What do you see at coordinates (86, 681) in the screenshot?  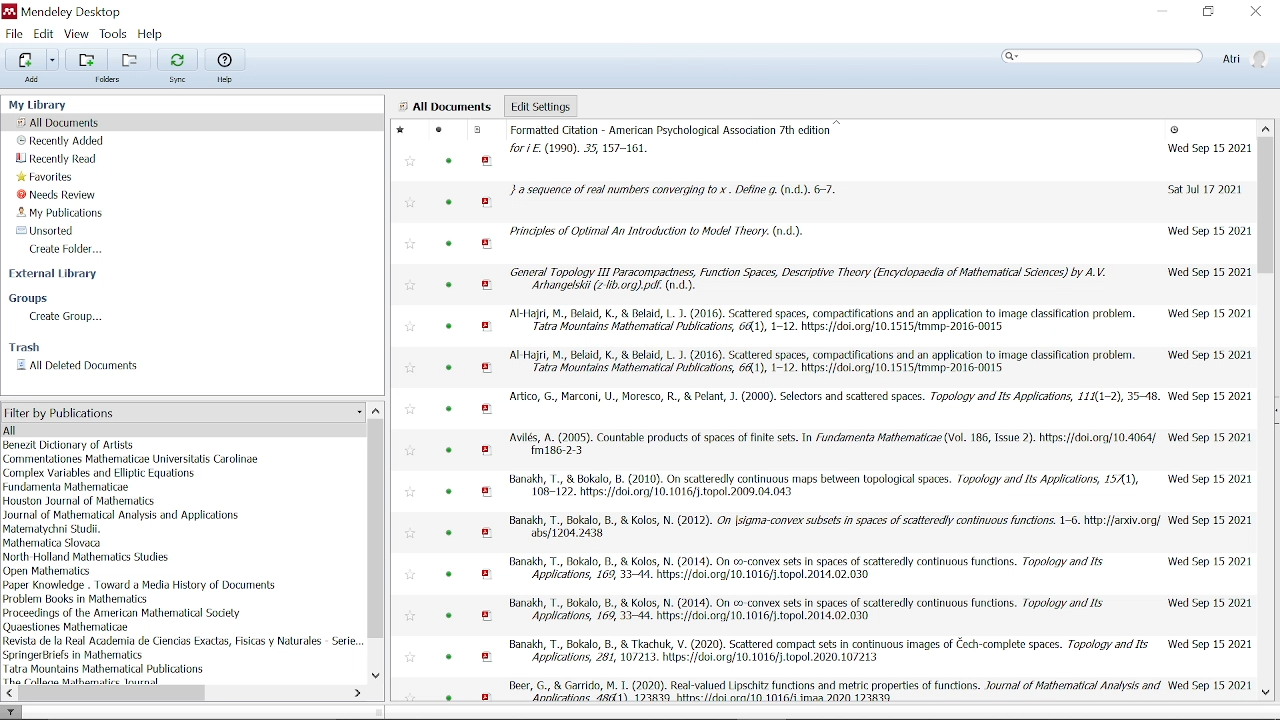 I see `author` at bounding box center [86, 681].